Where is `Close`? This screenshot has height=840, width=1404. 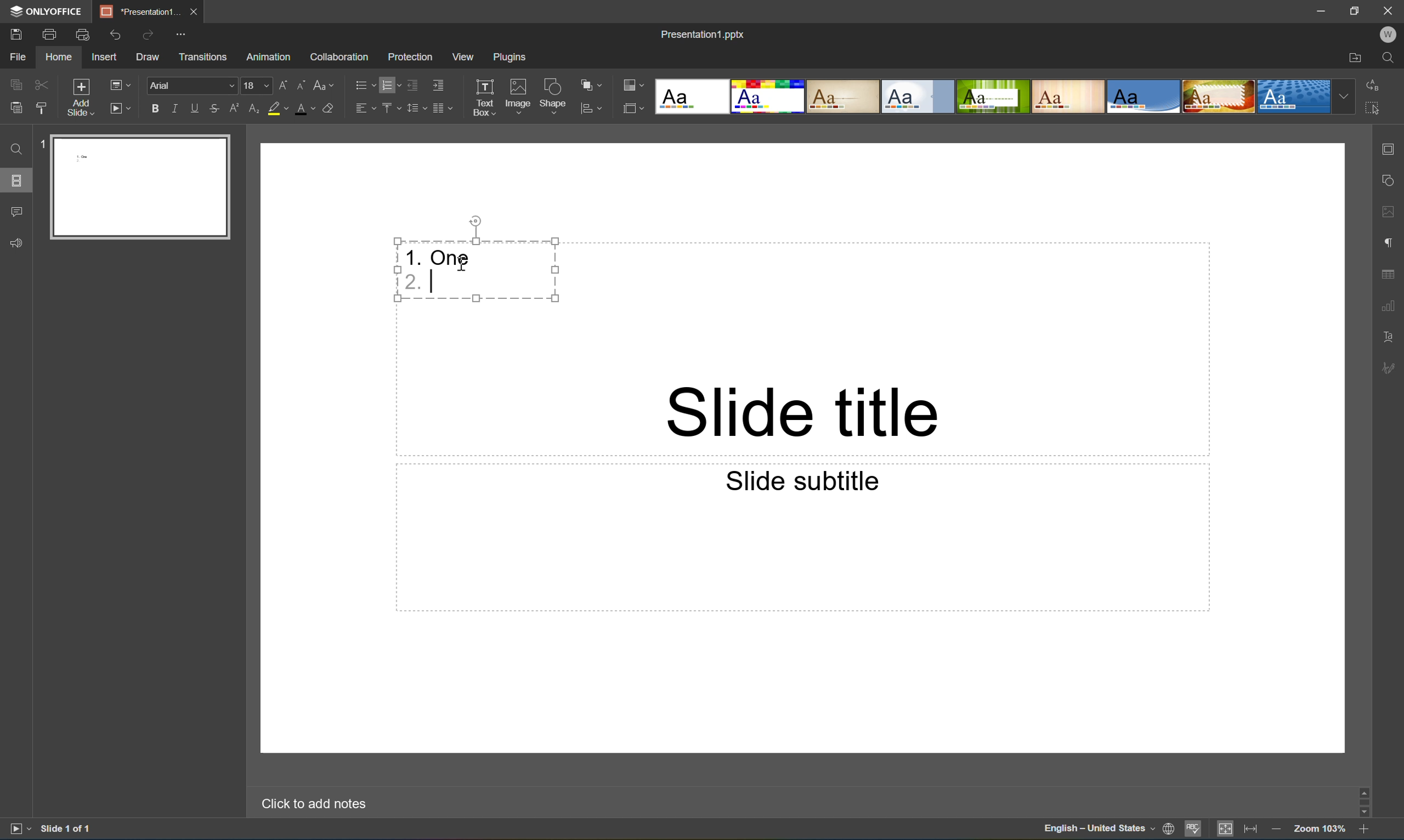
Close is located at coordinates (1391, 10).